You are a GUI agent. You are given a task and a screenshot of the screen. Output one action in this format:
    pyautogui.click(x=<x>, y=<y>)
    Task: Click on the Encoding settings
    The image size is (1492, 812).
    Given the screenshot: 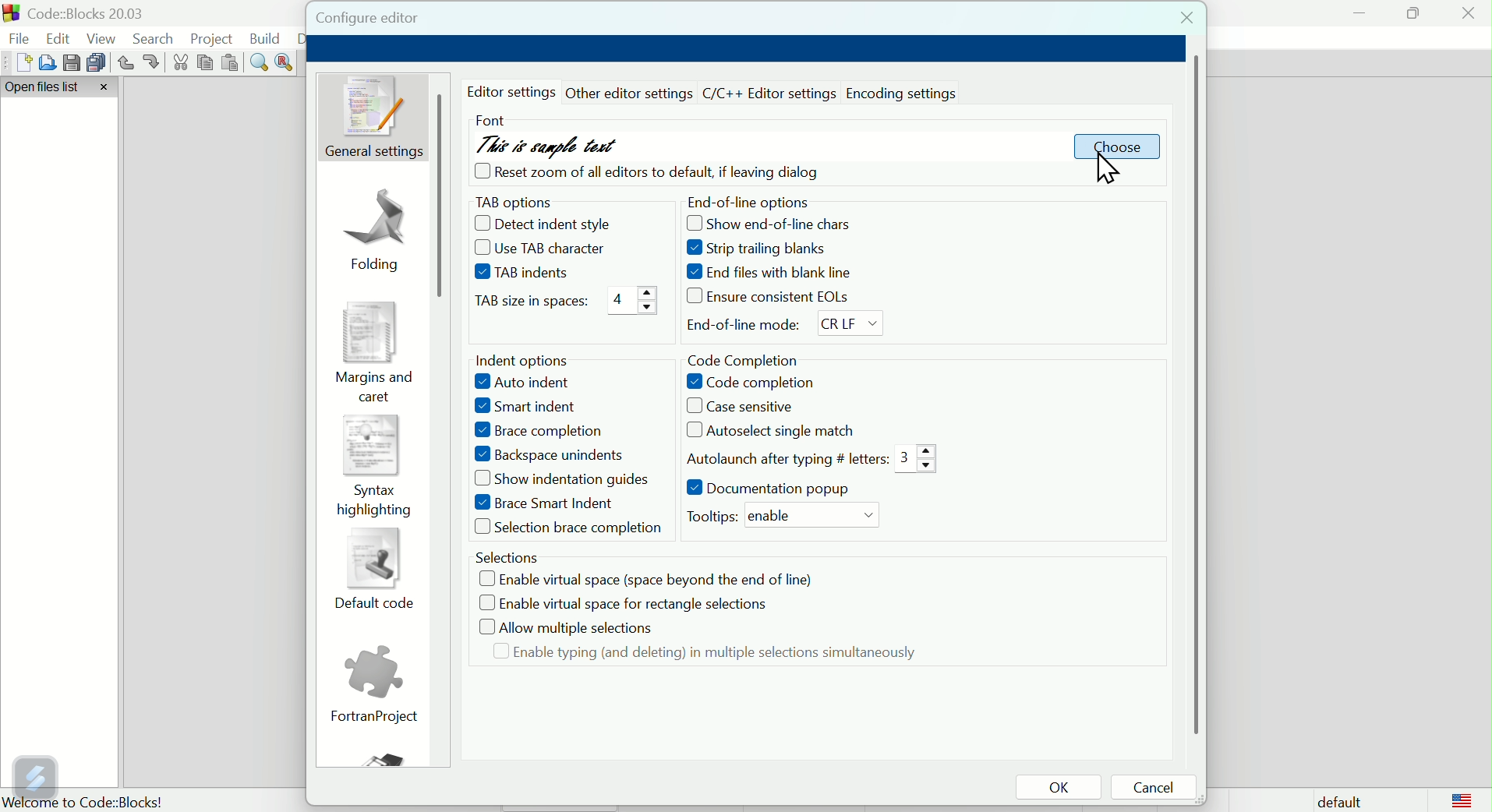 What is the action you would take?
    pyautogui.click(x=905, y=92)
    